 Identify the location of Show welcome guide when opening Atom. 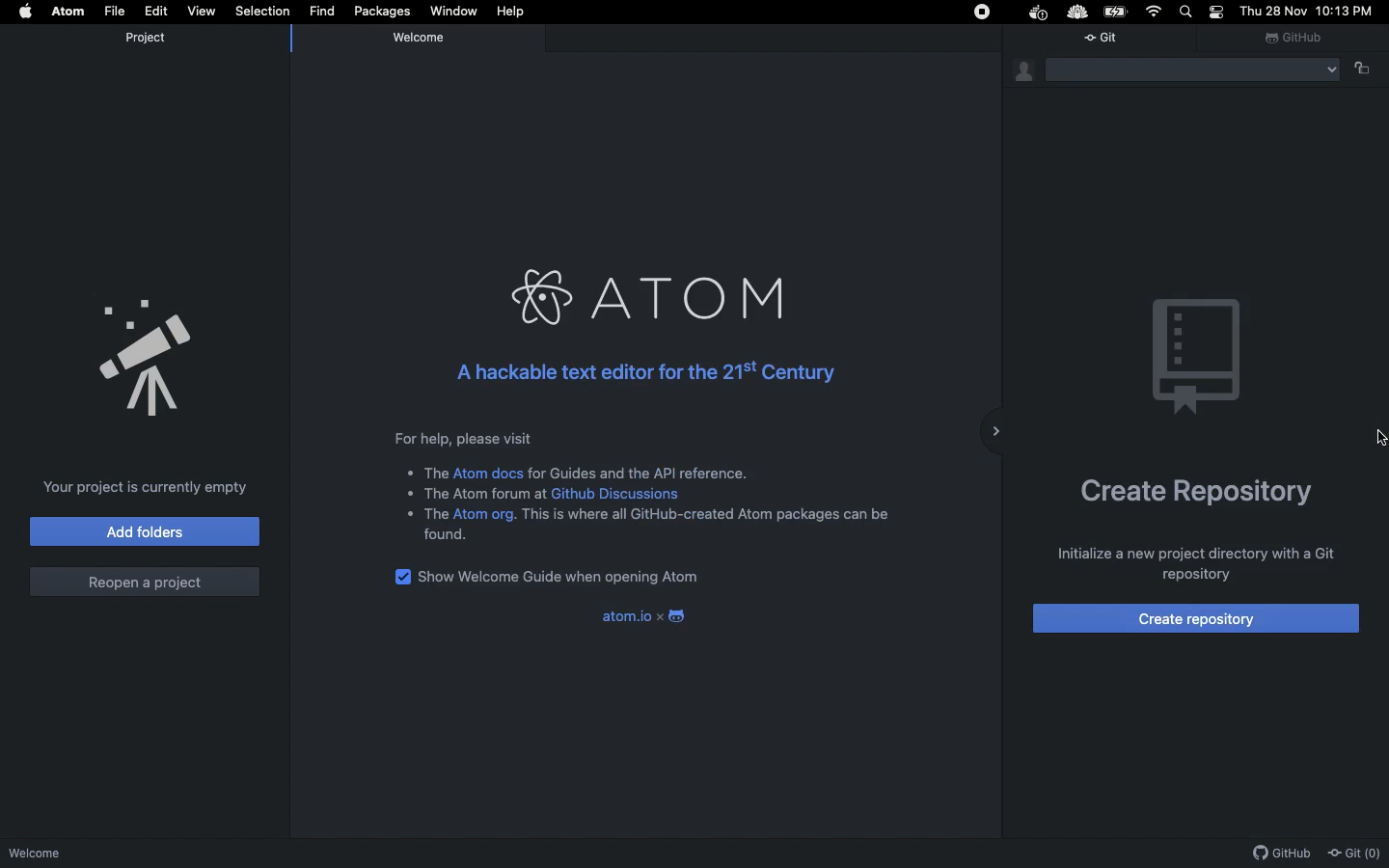
(562, 577).